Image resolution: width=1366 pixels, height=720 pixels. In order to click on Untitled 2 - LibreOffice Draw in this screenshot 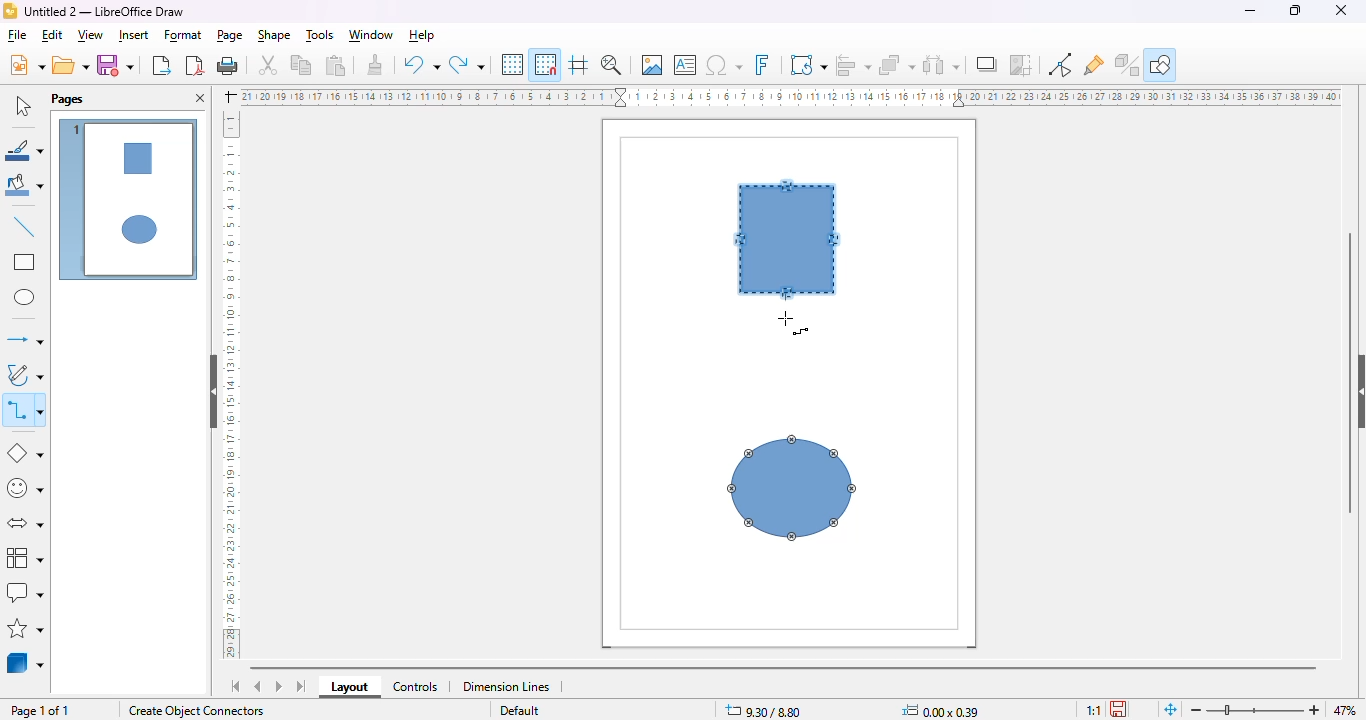, I will do `click(105, 11)`.